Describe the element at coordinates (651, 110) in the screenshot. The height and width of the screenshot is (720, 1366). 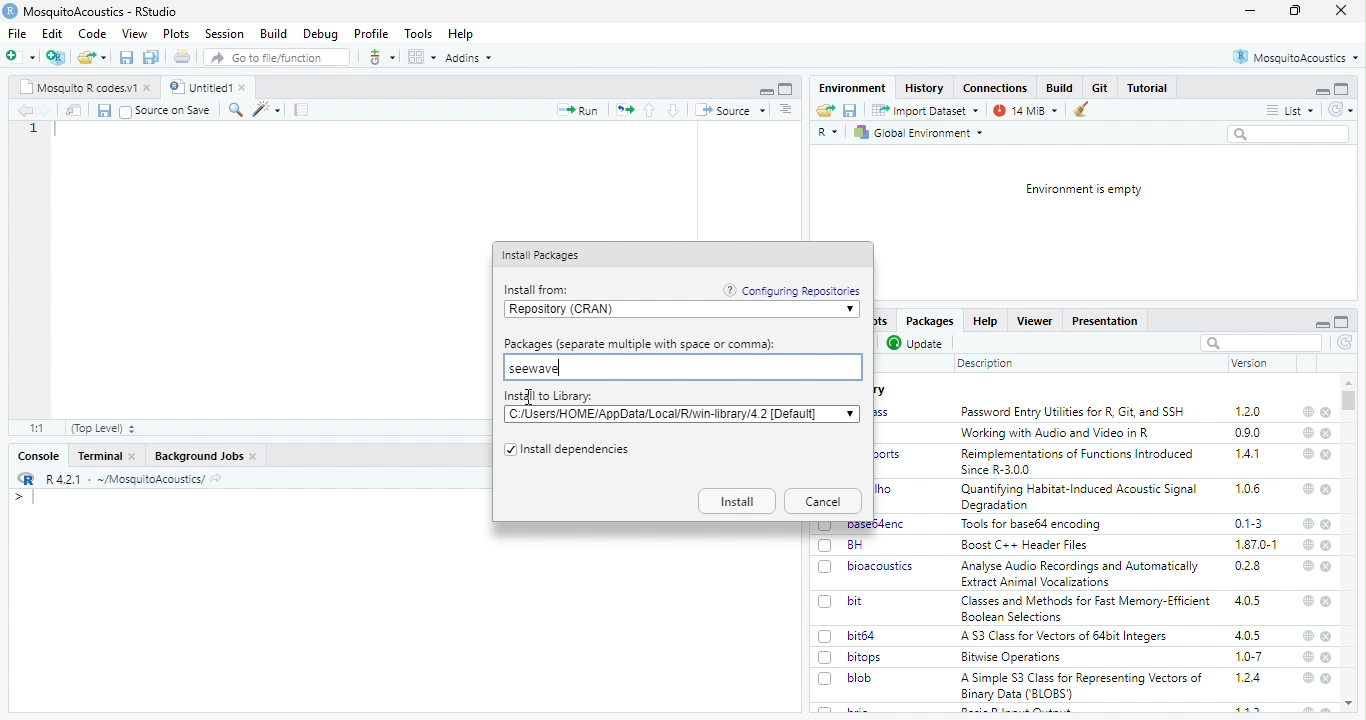
I see `up` at that location.